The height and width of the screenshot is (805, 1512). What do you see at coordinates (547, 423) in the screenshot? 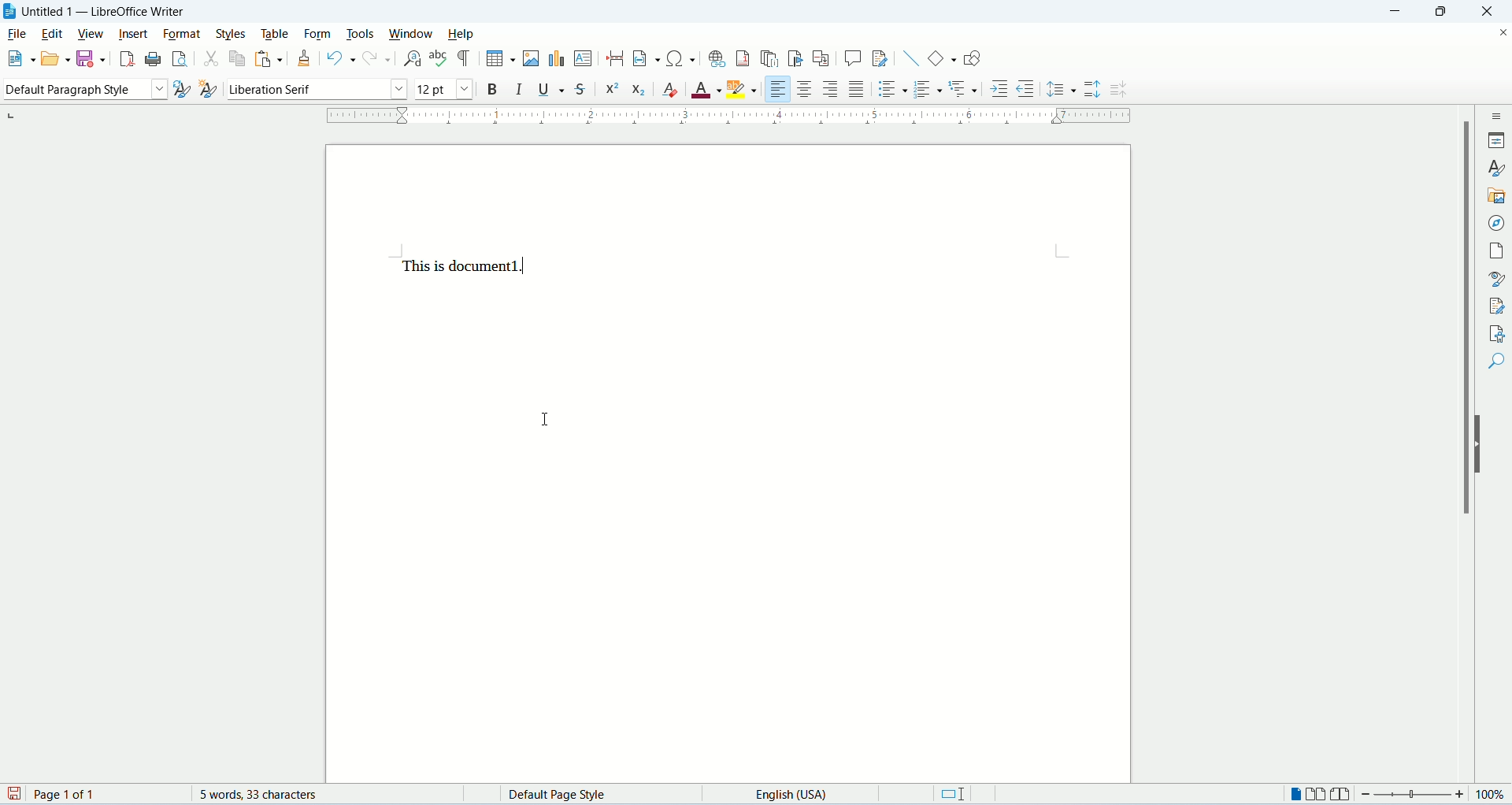
I see `cursor` at bounding box center [547, 423].